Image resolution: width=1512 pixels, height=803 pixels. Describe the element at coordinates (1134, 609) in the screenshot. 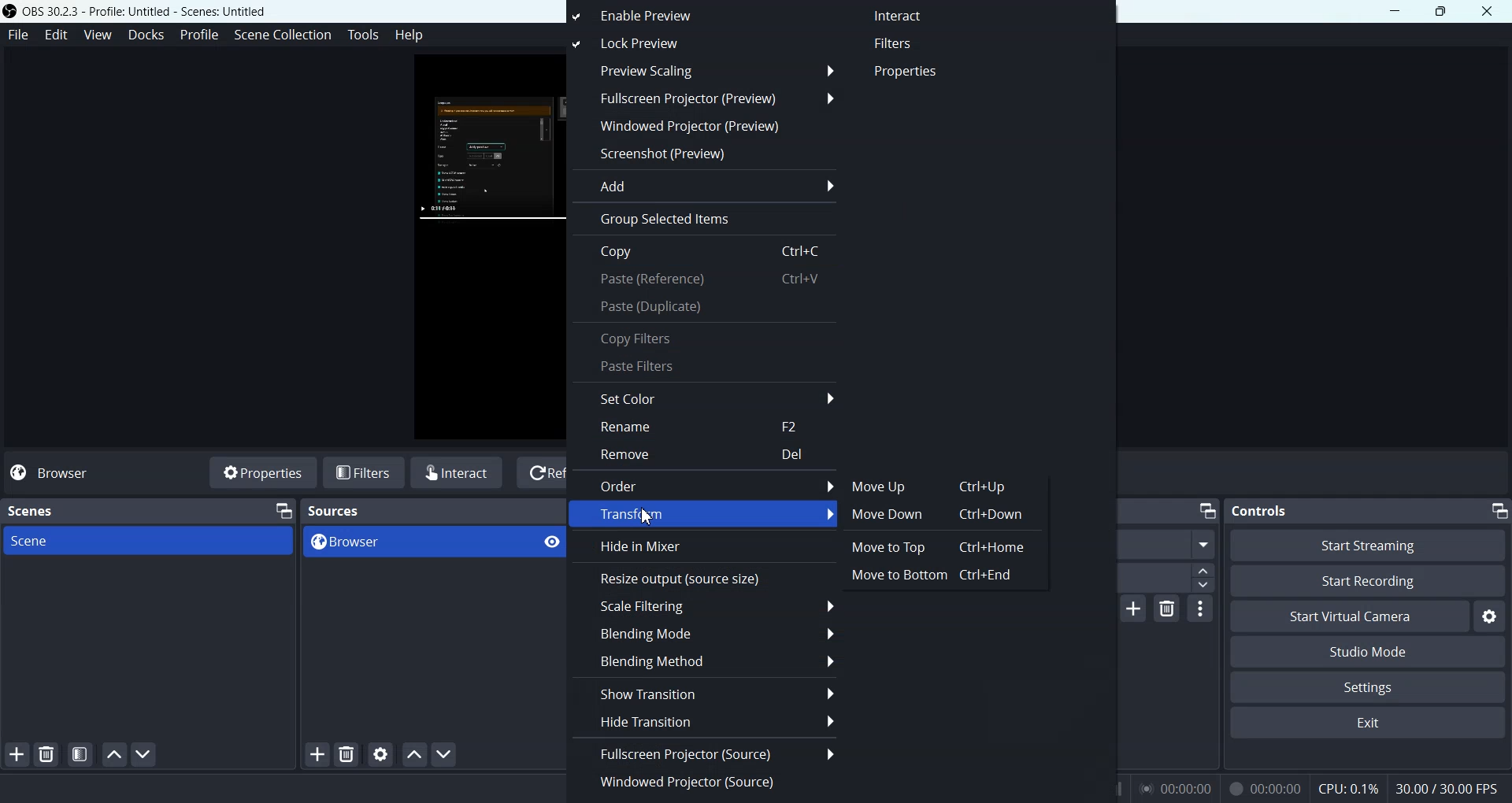

I see `Add configurable transition` at that location.